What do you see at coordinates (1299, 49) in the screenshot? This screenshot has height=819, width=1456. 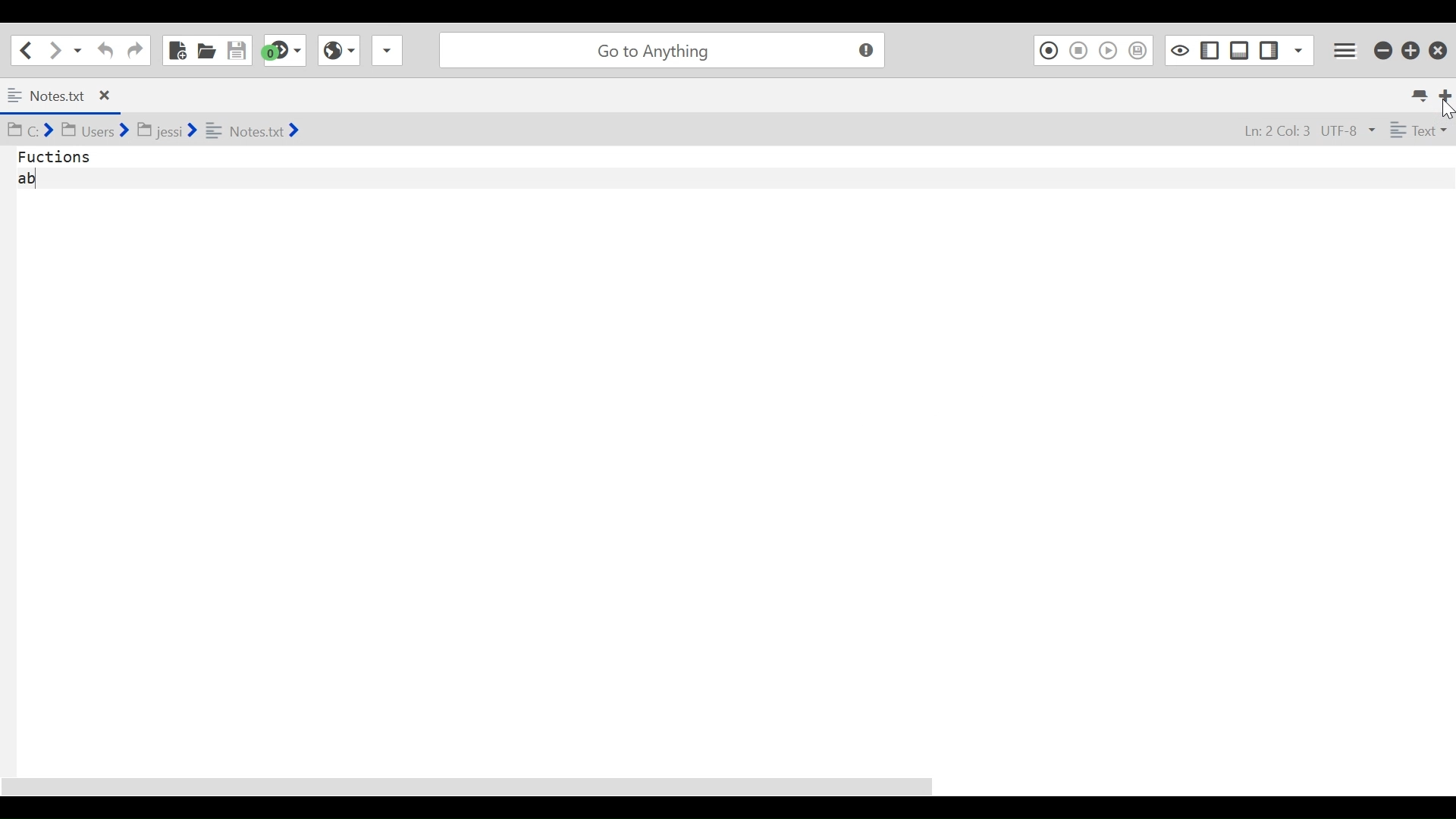 I see `Show Specific Sidebar` at bounding box center [1299, 49].